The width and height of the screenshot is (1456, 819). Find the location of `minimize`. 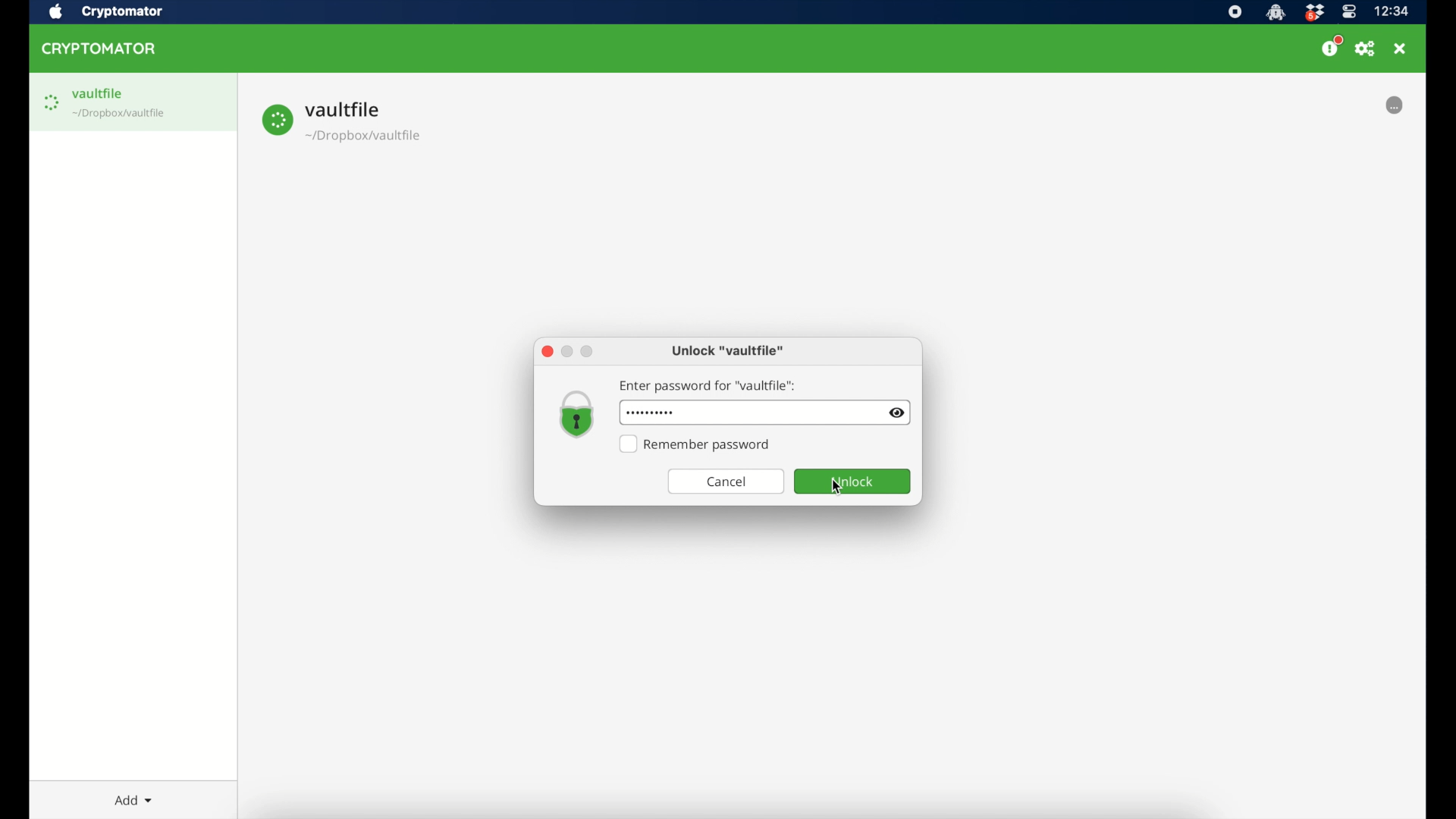

minimize is located at coordinates (568, 351).